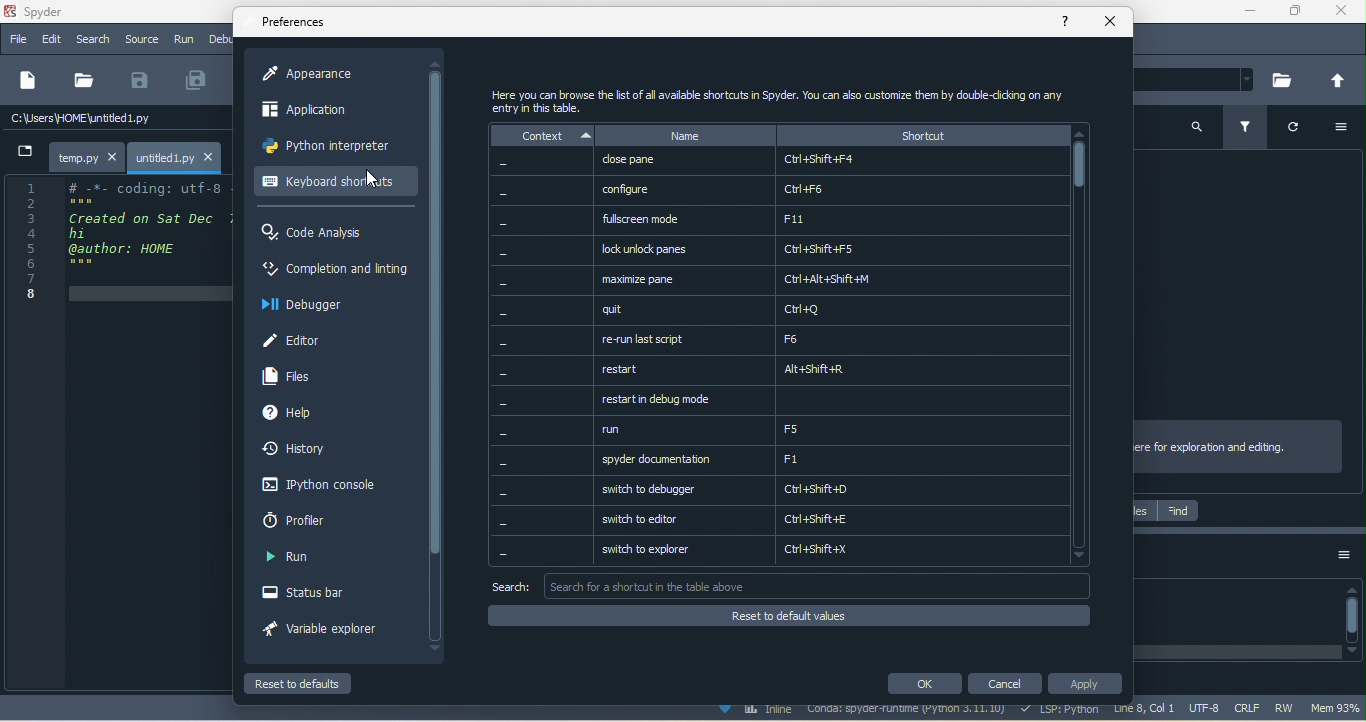 This screenshot has height=722, width=1366. Describe the element at coordinates (310, 305) in the screenshot. I see `debugger` at that location.